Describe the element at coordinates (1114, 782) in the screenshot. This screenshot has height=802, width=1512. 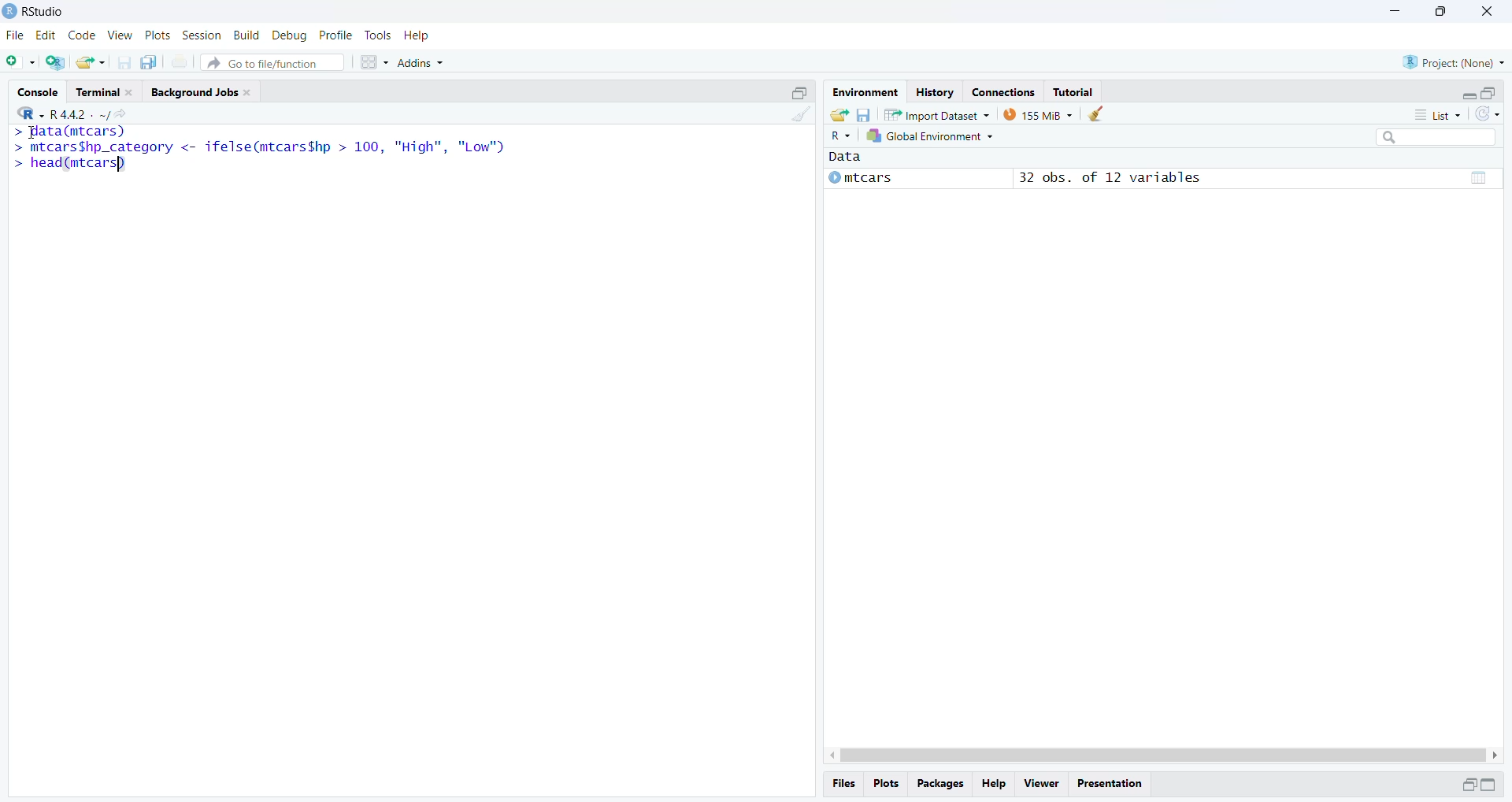
I see `Presentation` at that location.